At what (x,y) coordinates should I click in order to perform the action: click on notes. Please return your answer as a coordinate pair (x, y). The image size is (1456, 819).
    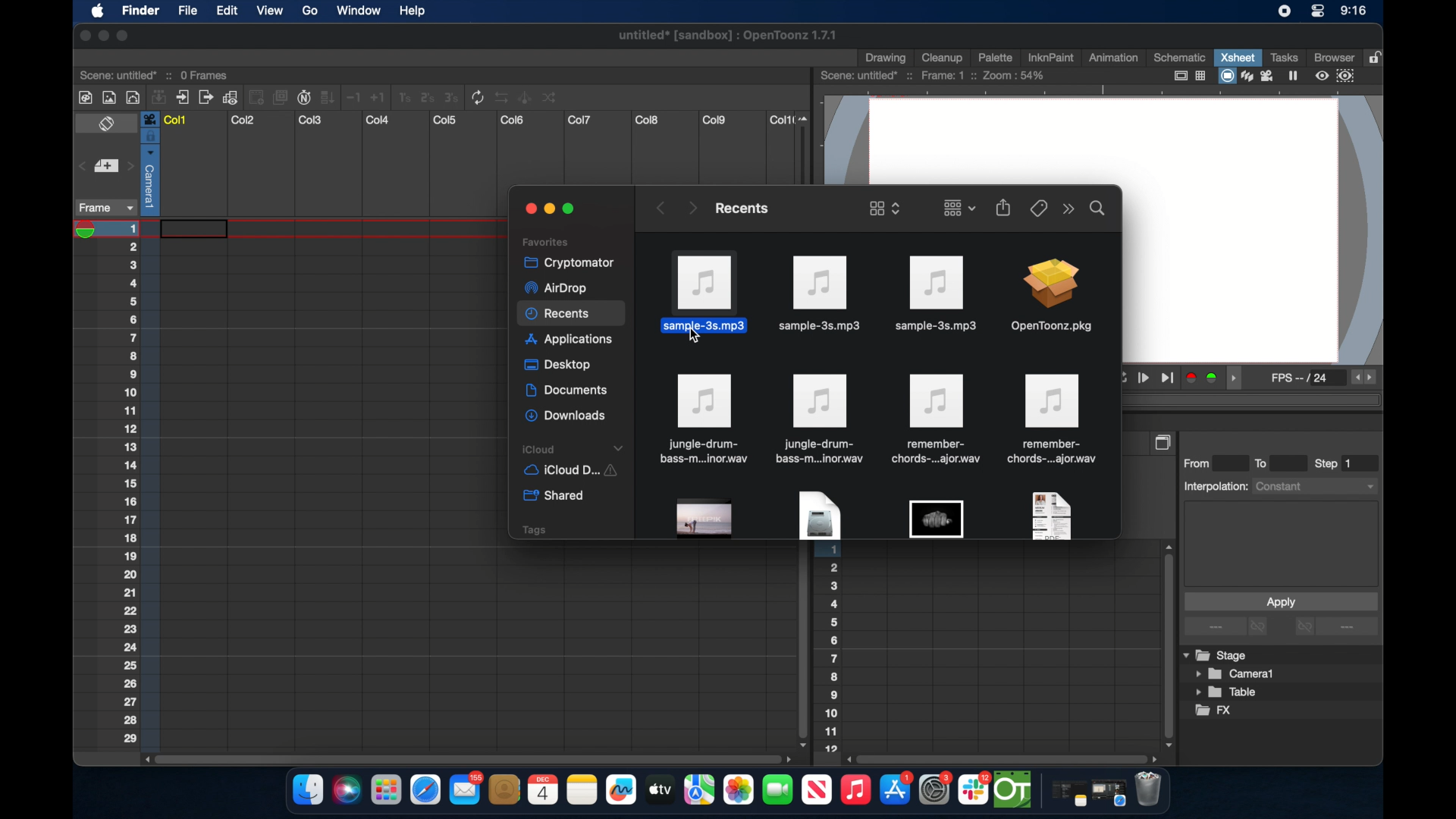
    Looking at the image, I should click on (1065, 795).